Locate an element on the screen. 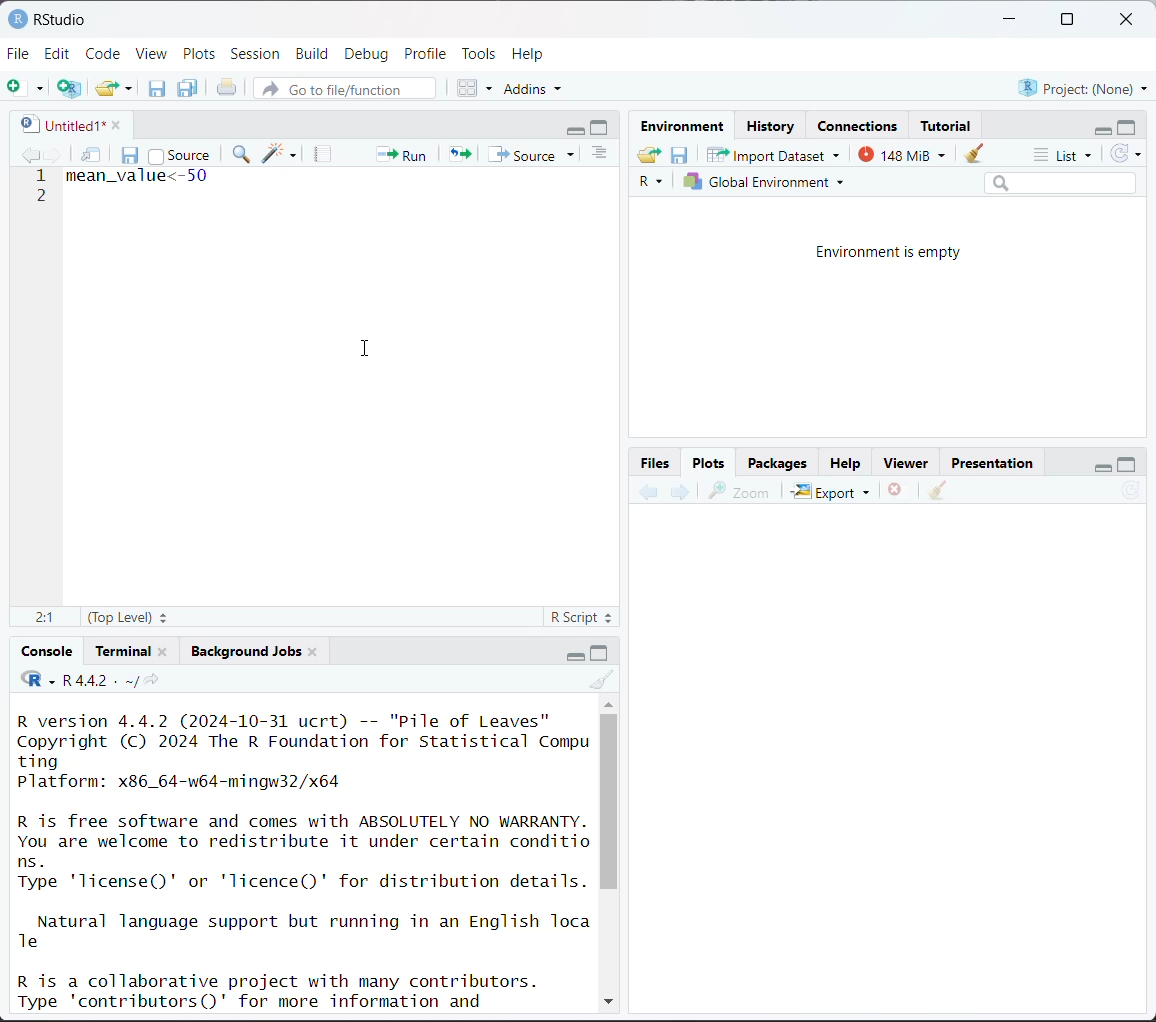 The image size is (1156, 1022). vertical scroll bar is located at coordinates (609, 801).